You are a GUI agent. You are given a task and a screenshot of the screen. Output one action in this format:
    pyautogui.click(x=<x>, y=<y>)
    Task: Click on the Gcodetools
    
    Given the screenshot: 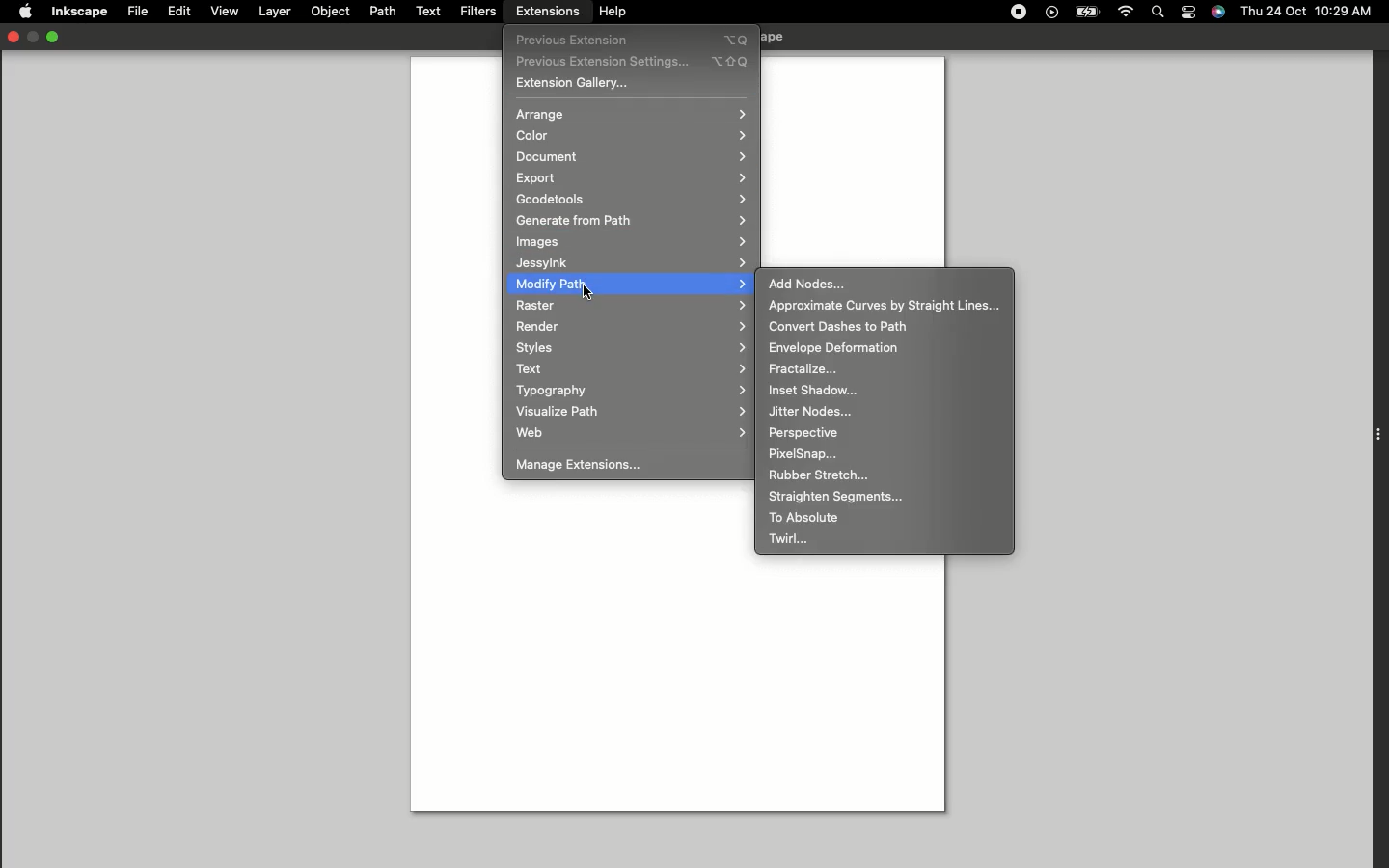 What is the action you would take?
    pyautogui.click(x=634, y=200)
    